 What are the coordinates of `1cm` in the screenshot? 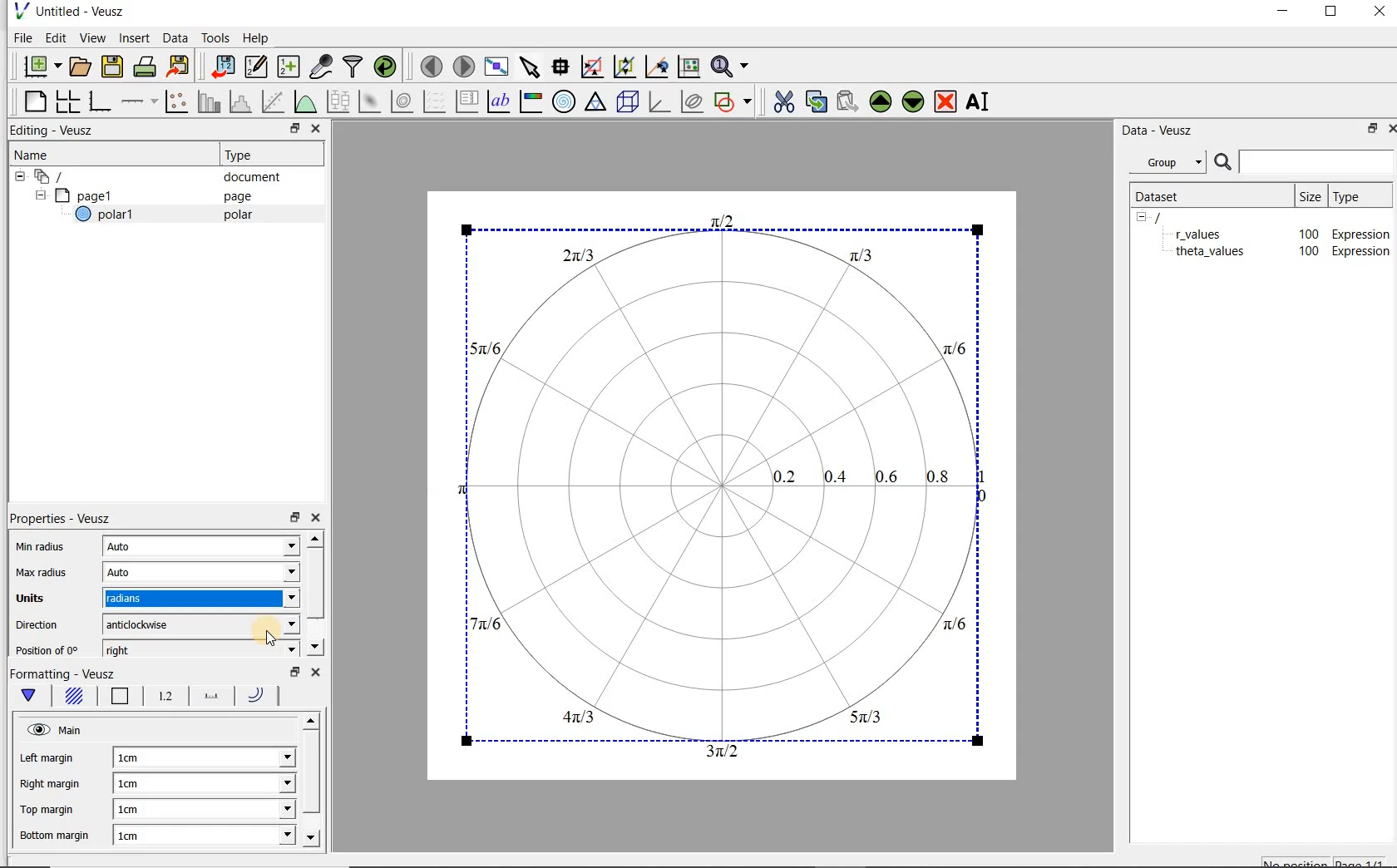 It's located at (141, 810).